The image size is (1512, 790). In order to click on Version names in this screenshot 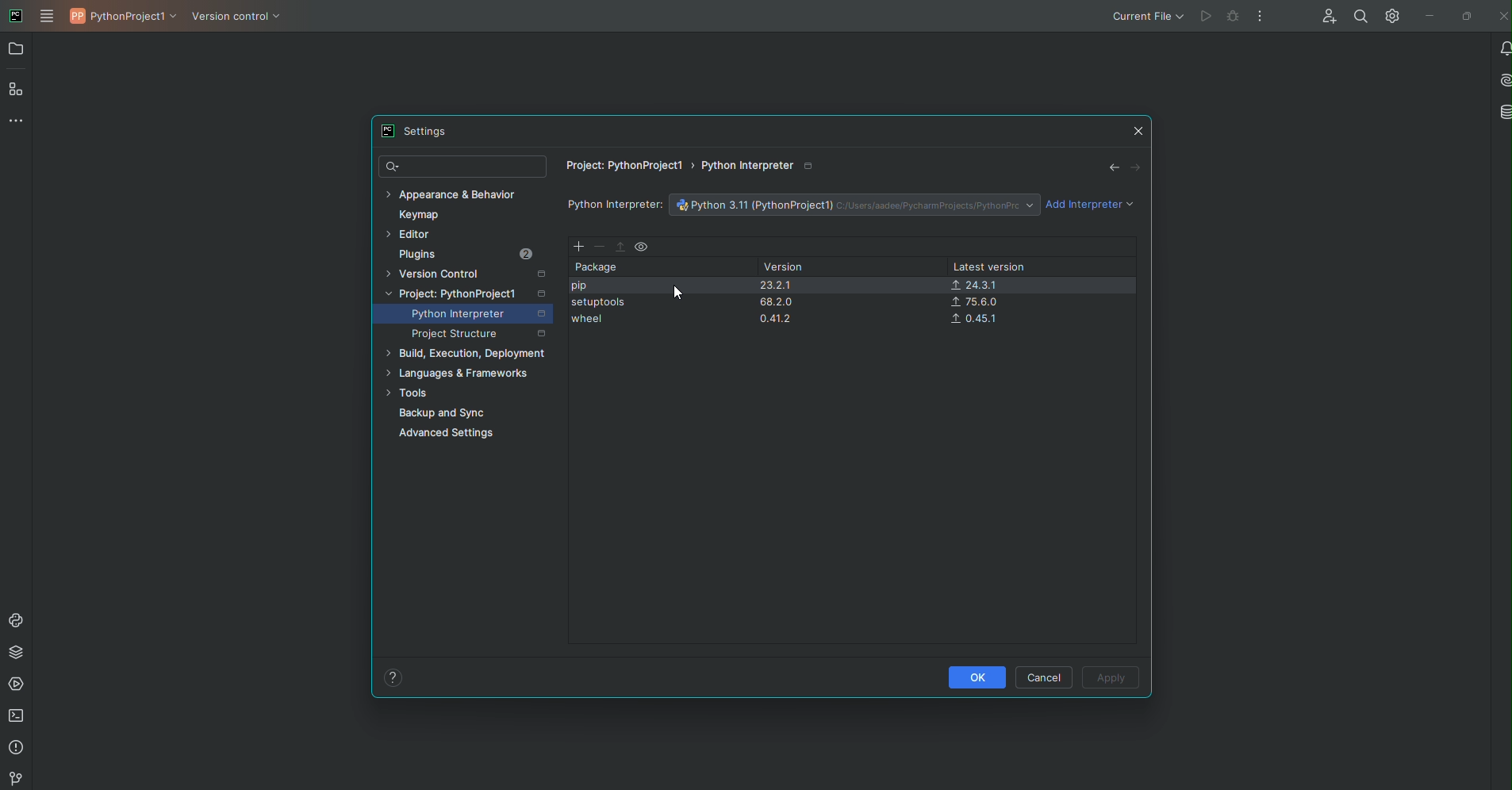, I will do `click(782, 305)`.